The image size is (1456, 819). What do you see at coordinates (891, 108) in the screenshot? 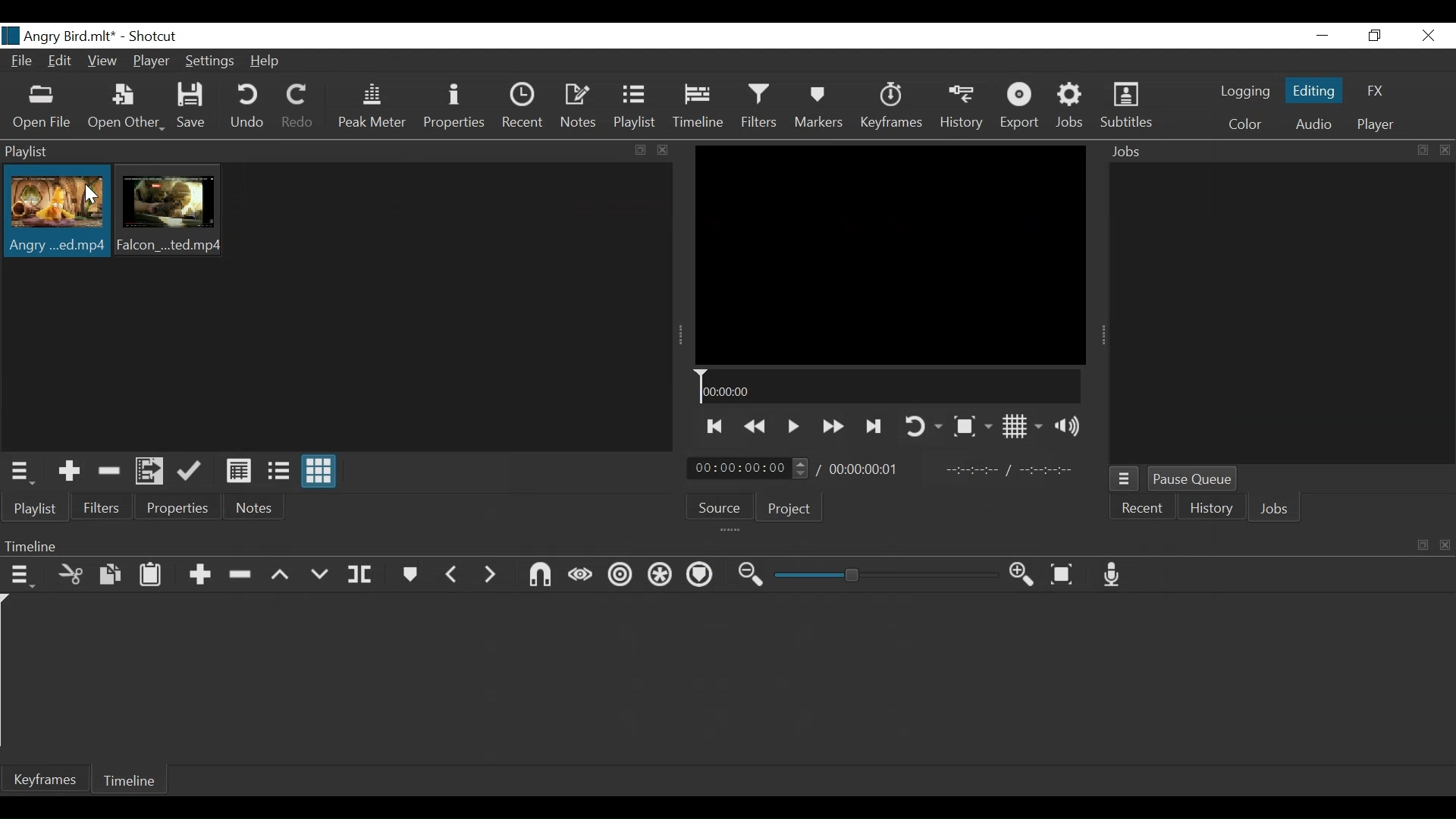
I see `Keyframes` at bounding box center [891, 108].